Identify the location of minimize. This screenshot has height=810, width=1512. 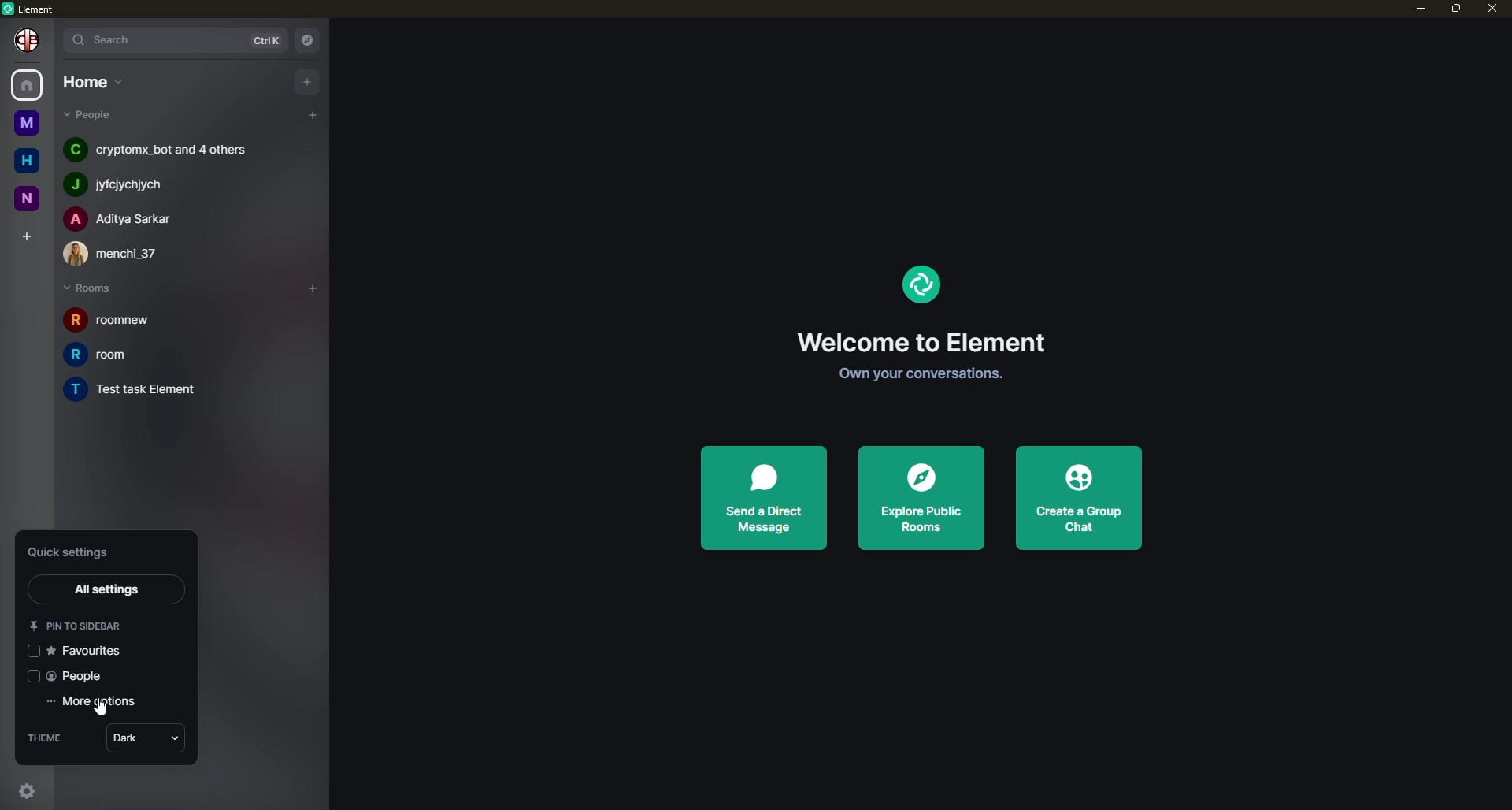
(1411, 9).